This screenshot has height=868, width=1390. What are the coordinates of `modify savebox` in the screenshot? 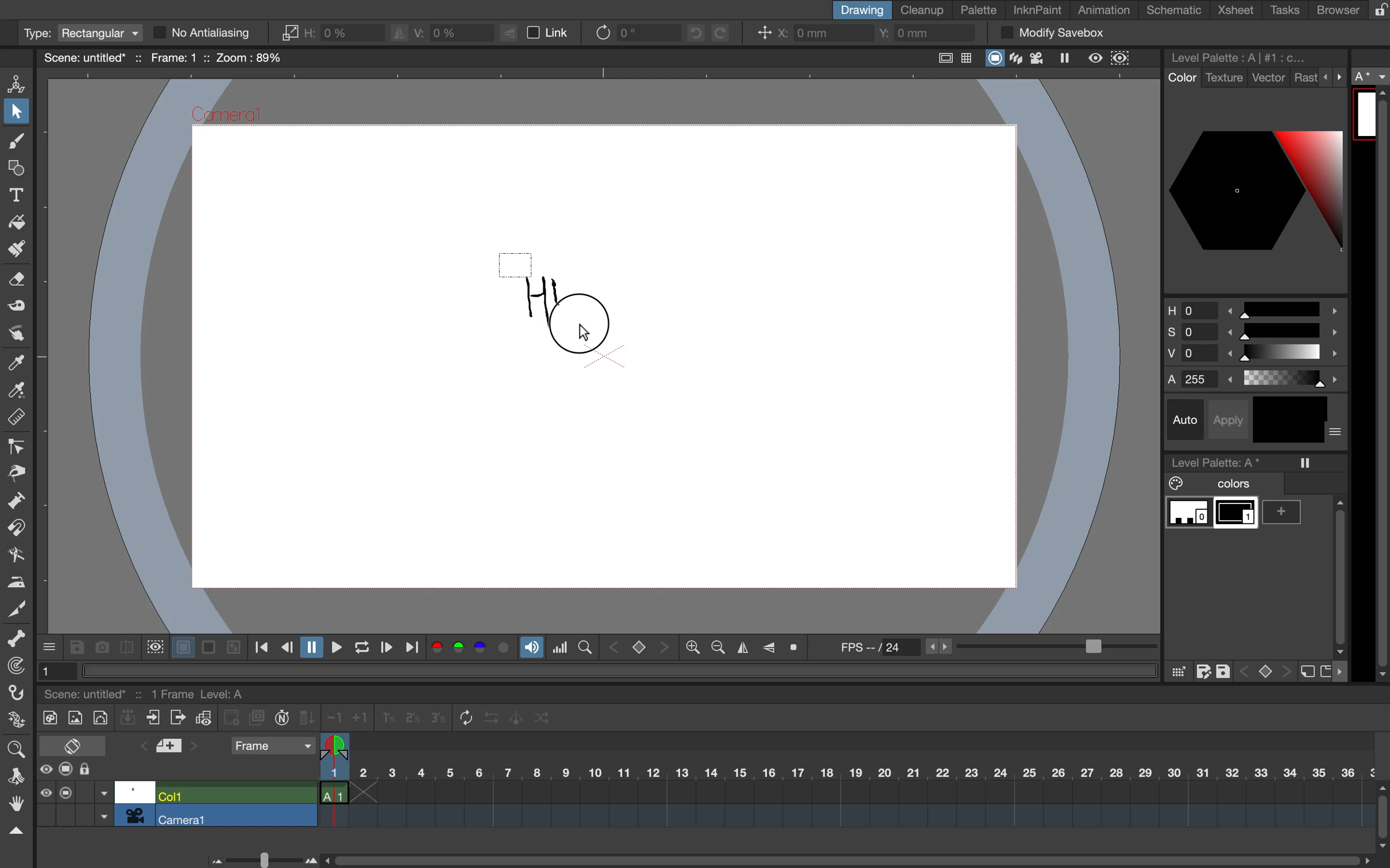 It's located at (1052, 33).